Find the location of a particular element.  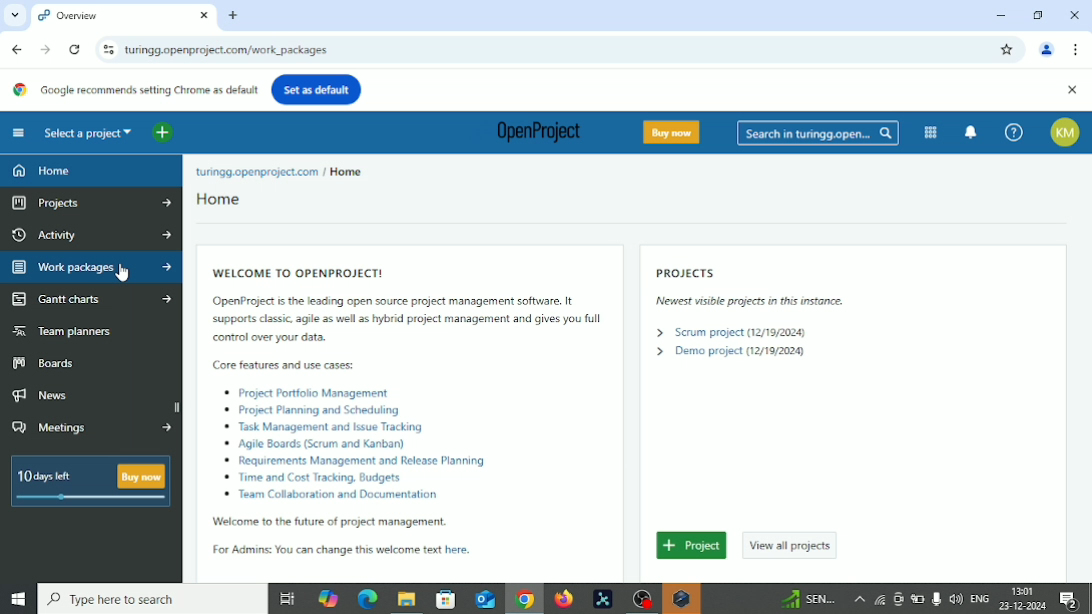

Search is located at coordinates (152, 599).